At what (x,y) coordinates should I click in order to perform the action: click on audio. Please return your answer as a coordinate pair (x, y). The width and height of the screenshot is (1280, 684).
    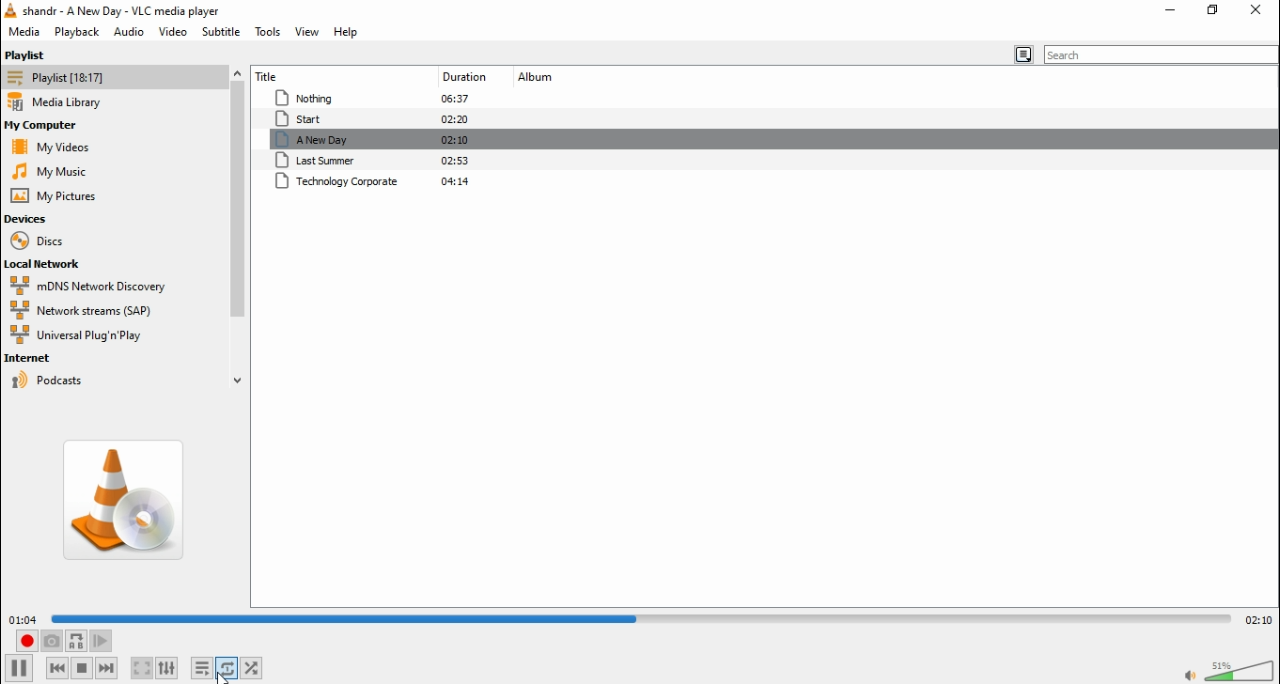
    Looking at the image, I should click on (128, 32).